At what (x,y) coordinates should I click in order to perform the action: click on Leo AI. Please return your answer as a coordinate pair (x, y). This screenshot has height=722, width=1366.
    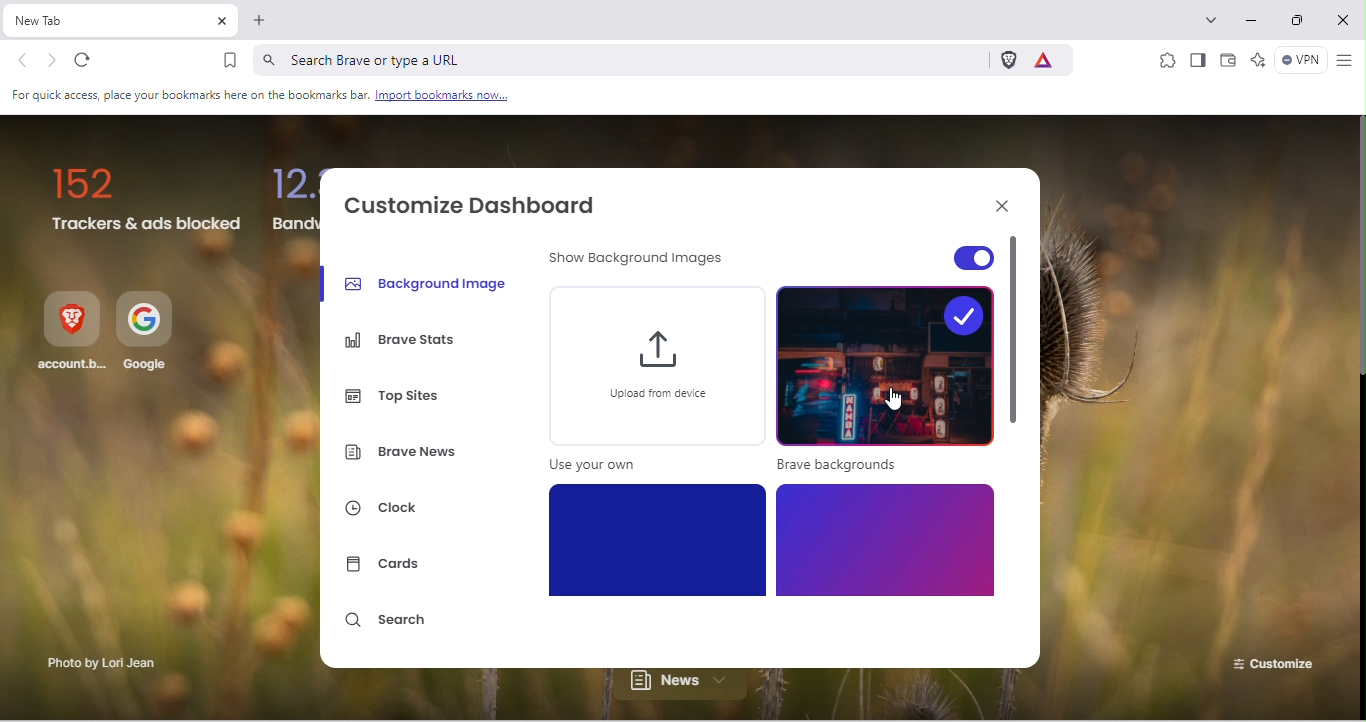
    Looking at the image, I should click on (1257, 61).